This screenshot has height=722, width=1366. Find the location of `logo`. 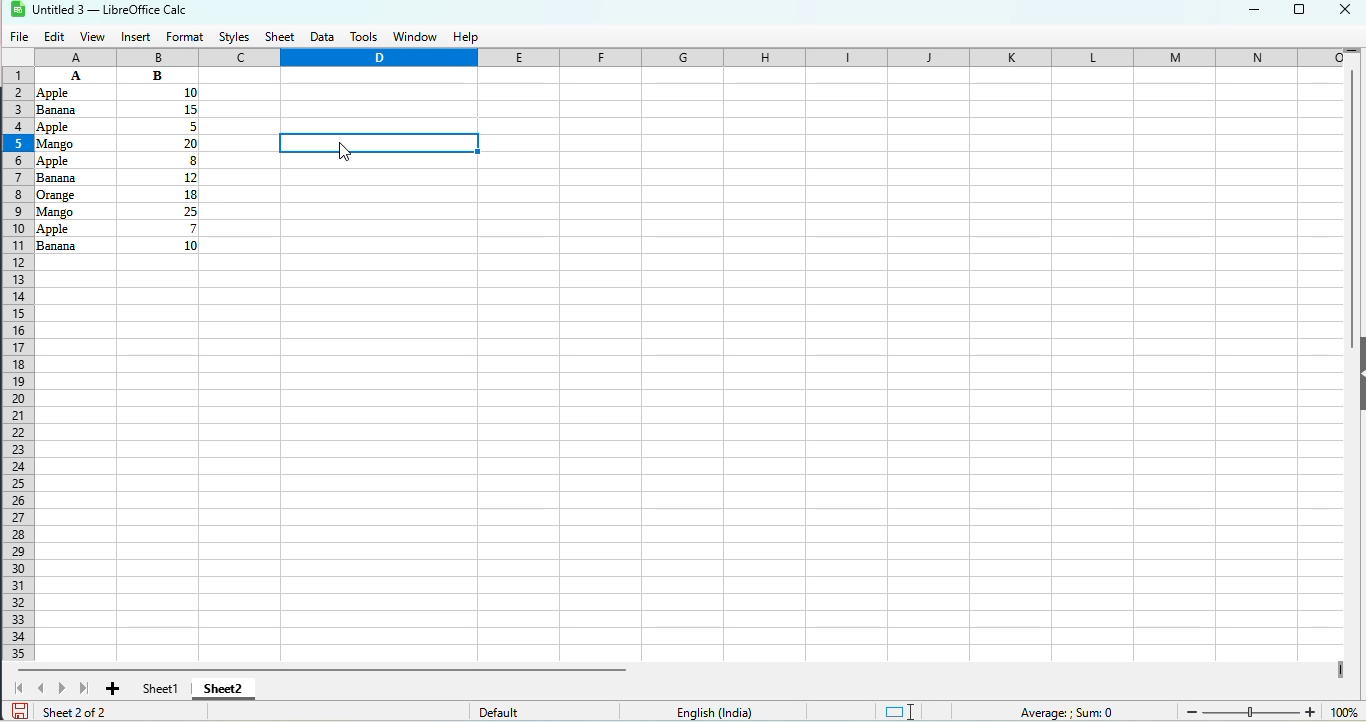

logo is located at coordinates (17, 10).